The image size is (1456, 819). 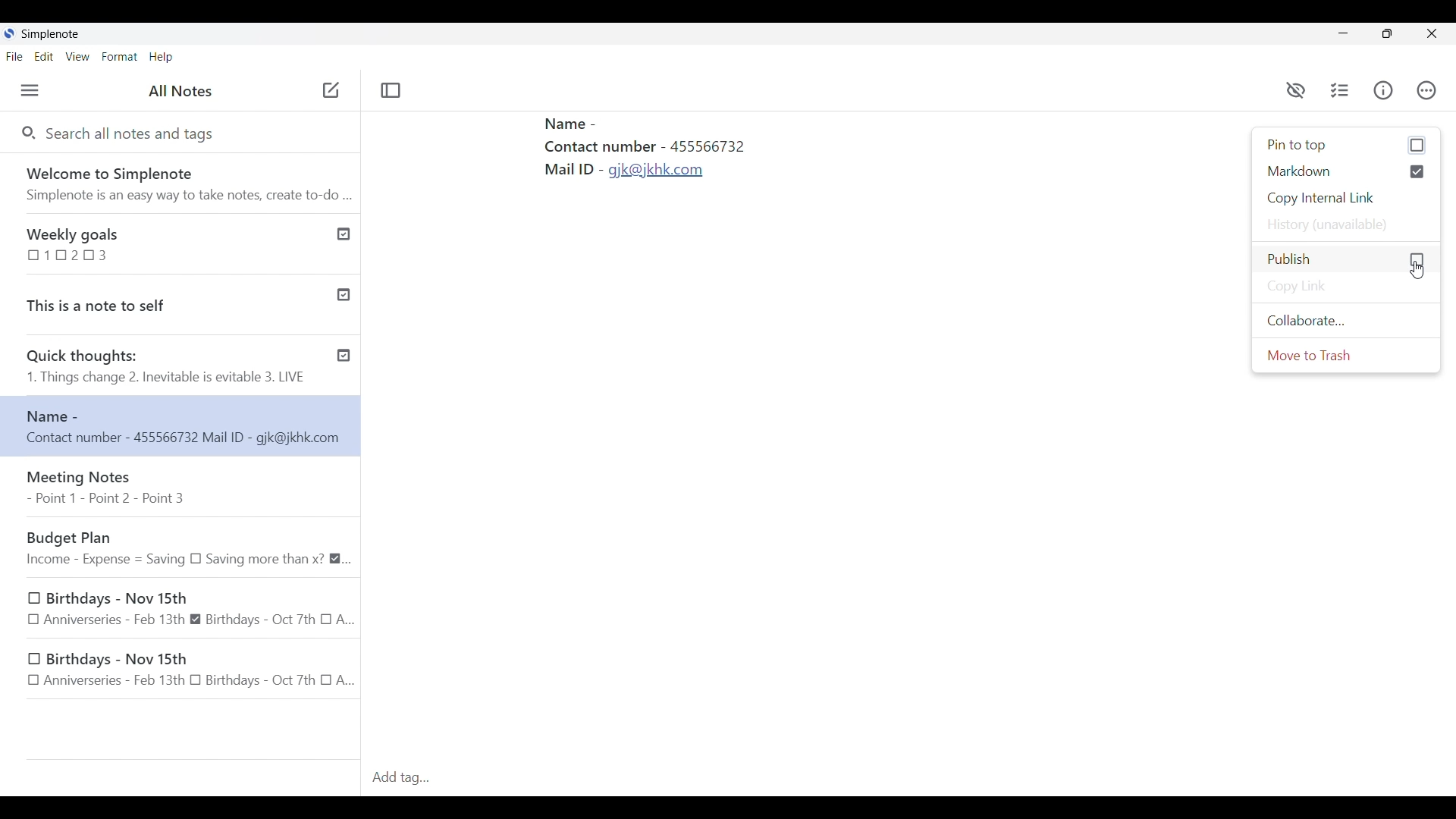 What do you see at coordinates (14, 56) in the screenshot?
I see `File menu` at bounding box center [14, 56].